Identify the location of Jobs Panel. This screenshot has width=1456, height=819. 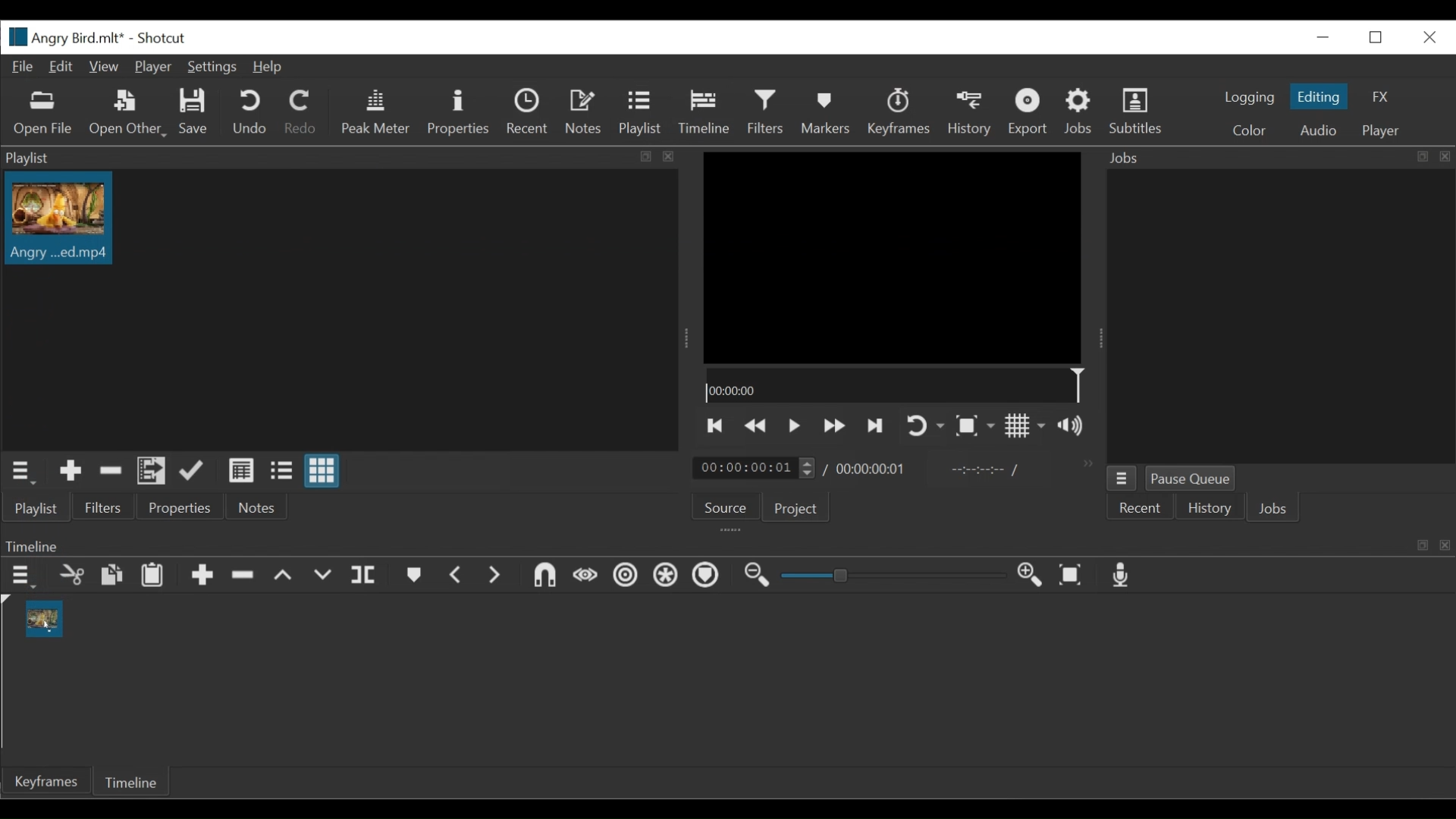
(1278, 157).